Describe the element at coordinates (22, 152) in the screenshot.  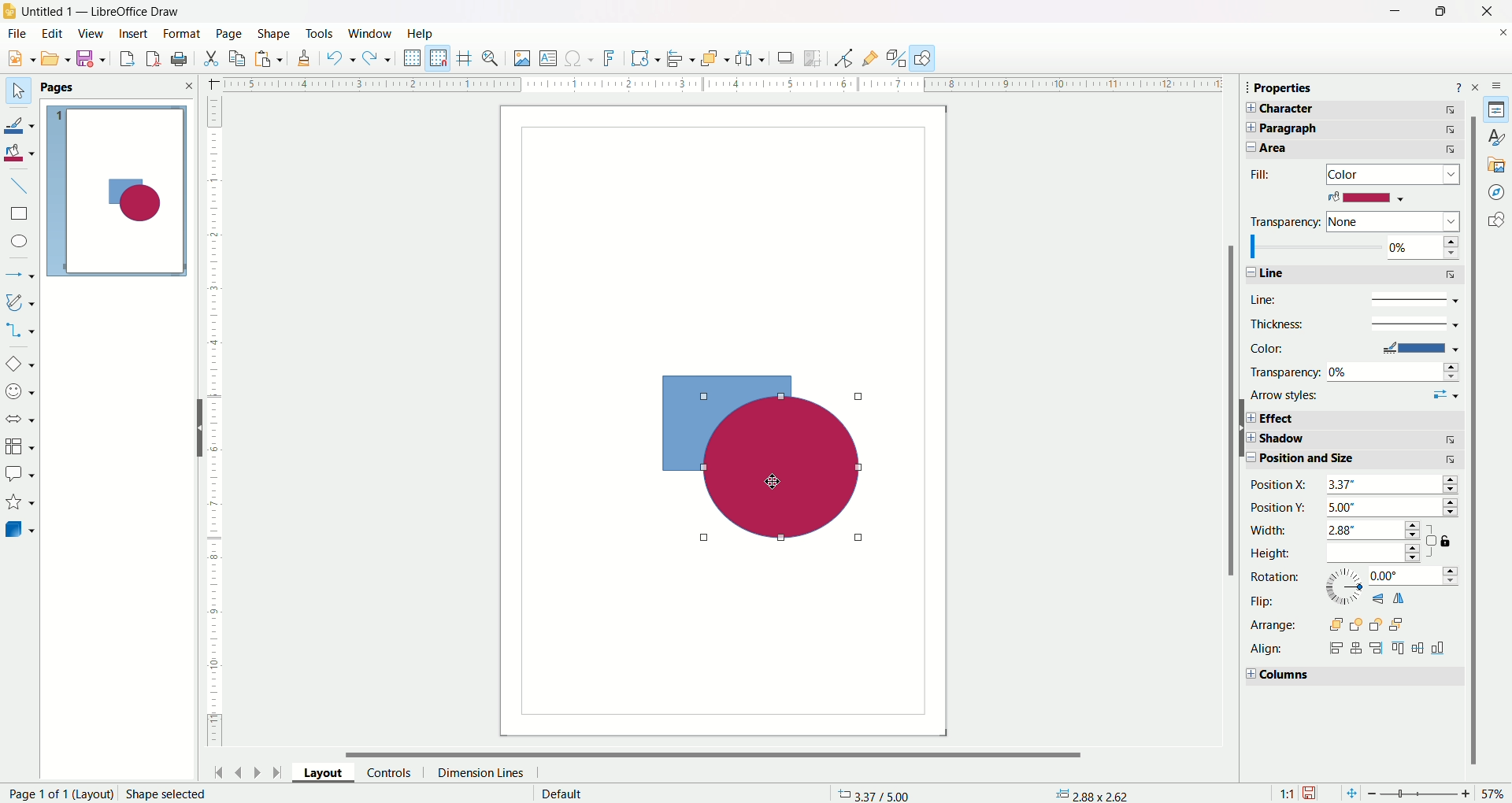
I see `fill color` at that location.